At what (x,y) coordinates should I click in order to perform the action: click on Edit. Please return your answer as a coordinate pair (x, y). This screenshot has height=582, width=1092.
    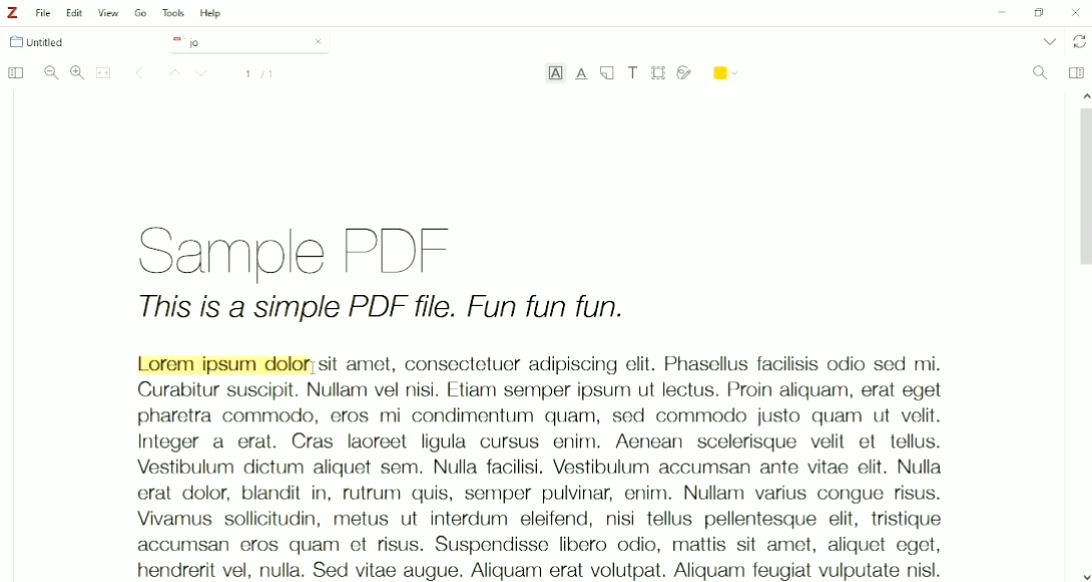
    Looking at the image, I should click on (76, 13).